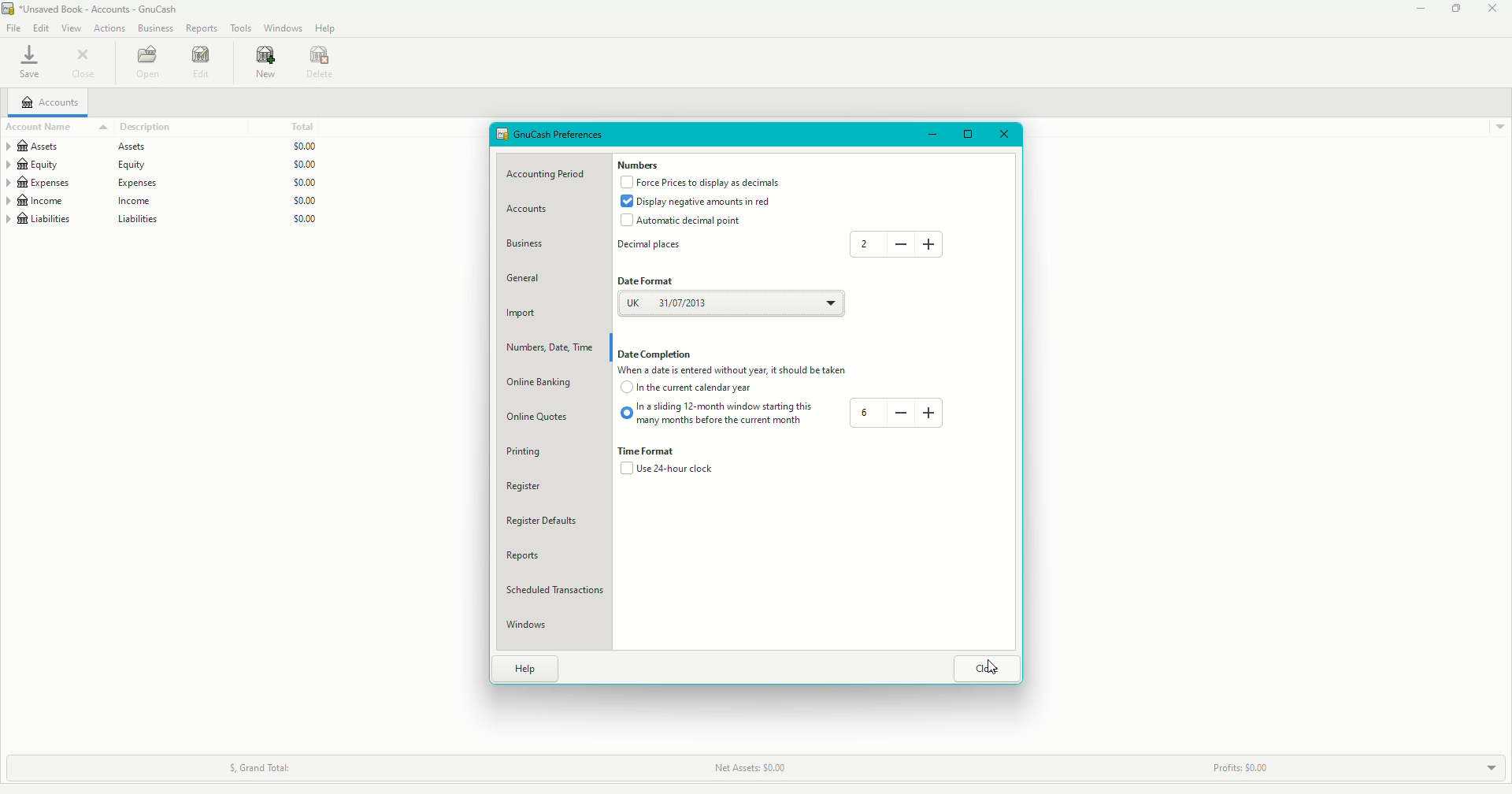  Describe the element at coordinates (705, 183) in the screenshot. I see `Force Prices` at that location.